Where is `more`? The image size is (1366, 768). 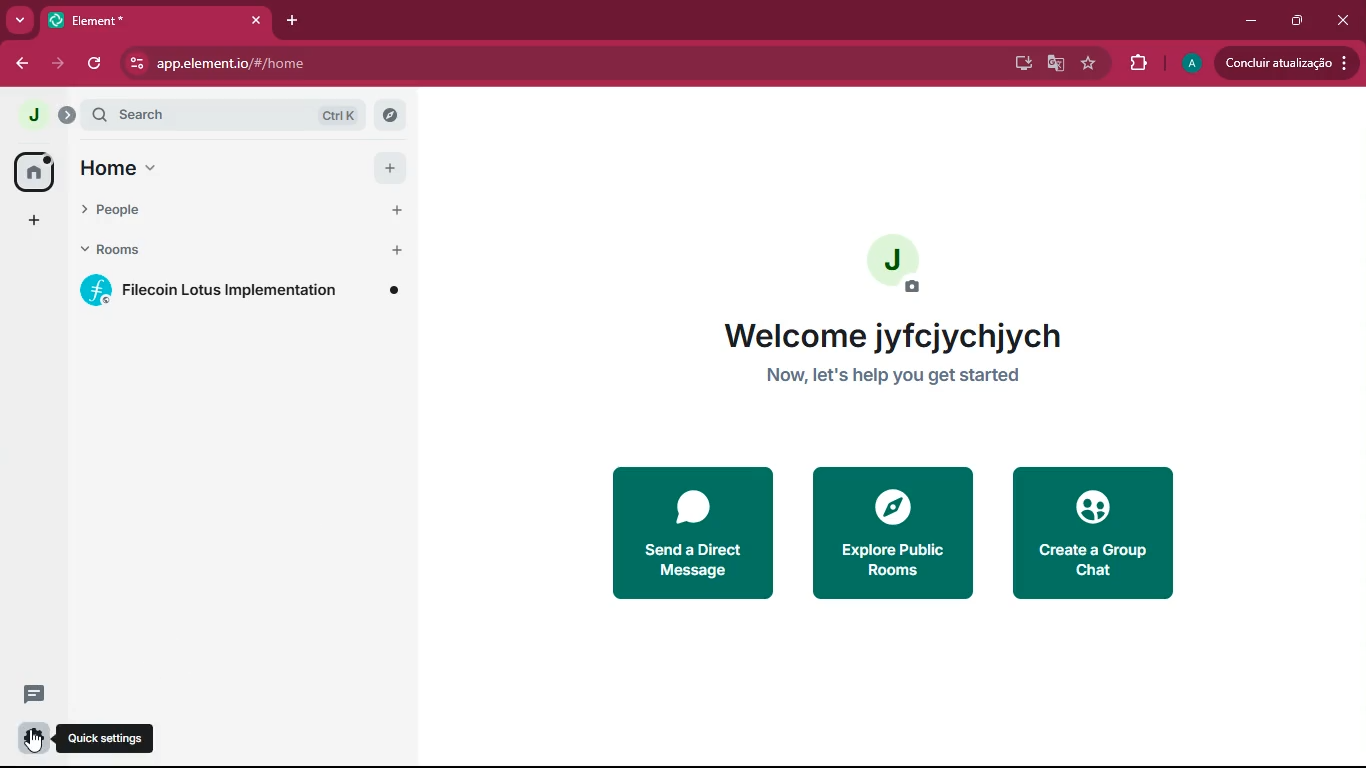
more is located at coordinates (20, 19).